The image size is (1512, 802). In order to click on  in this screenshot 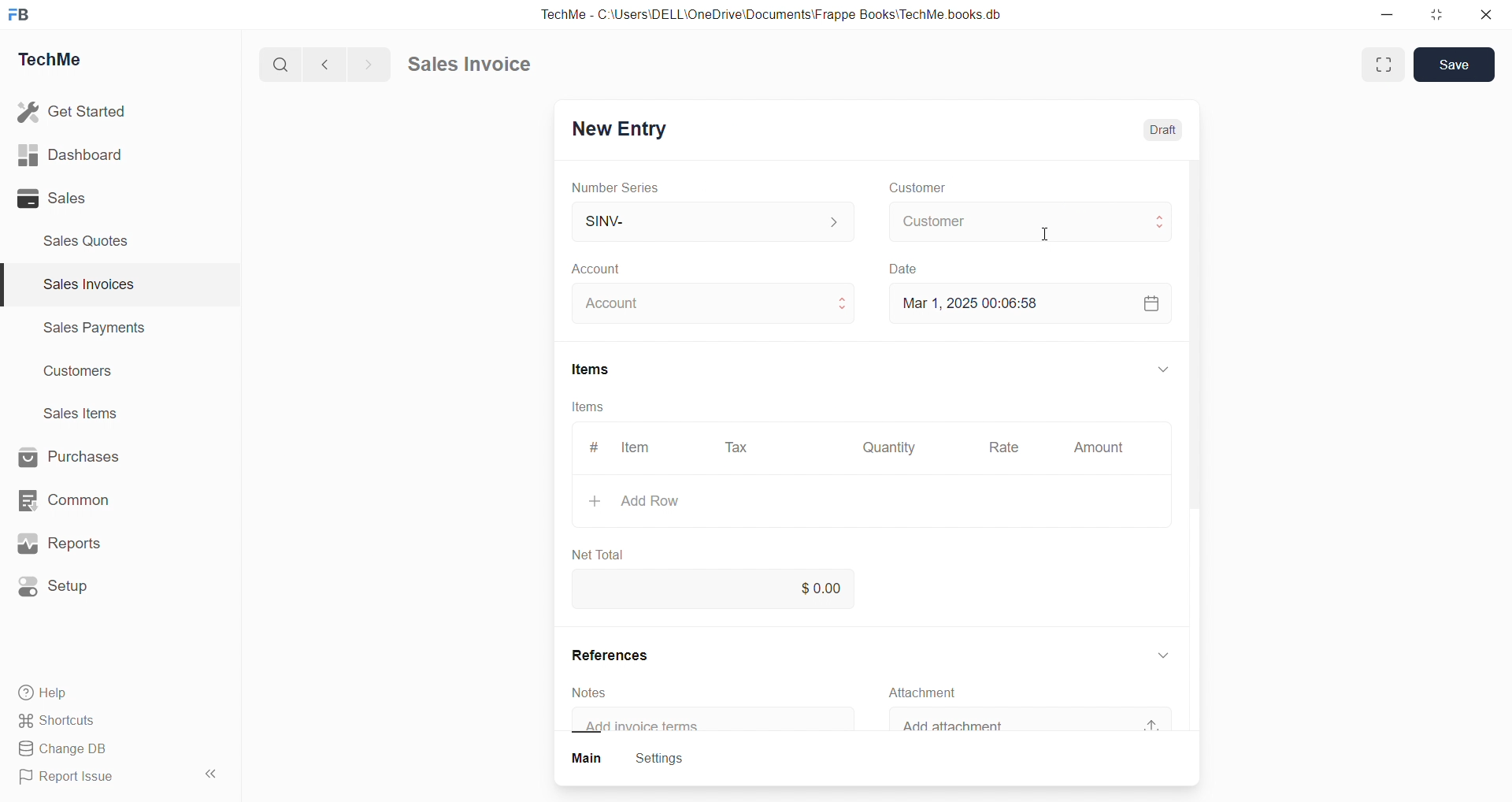, I will do `click(587, 759)`.